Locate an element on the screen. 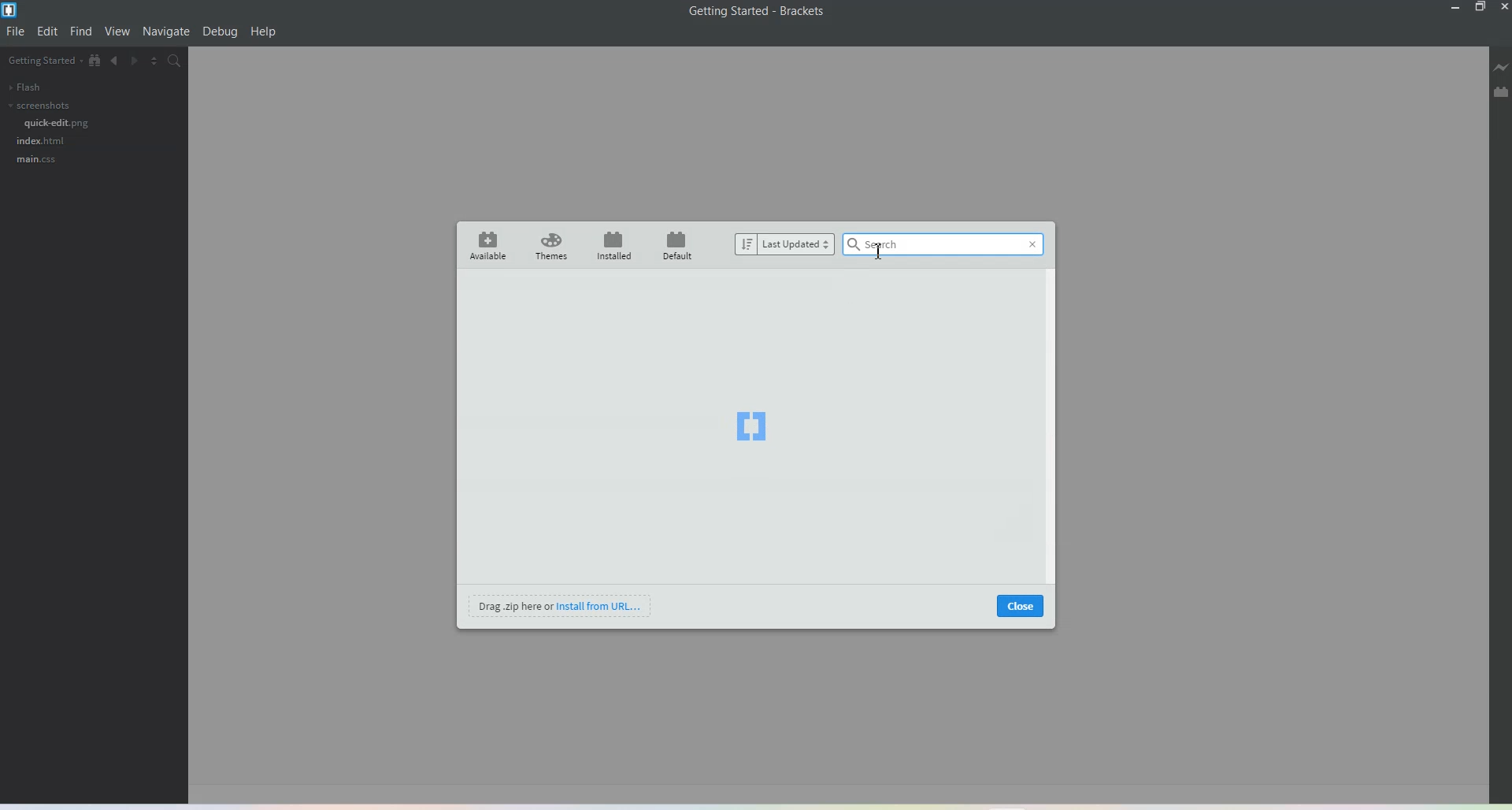  Navigate Backwards is located at coordinates (116, 63).